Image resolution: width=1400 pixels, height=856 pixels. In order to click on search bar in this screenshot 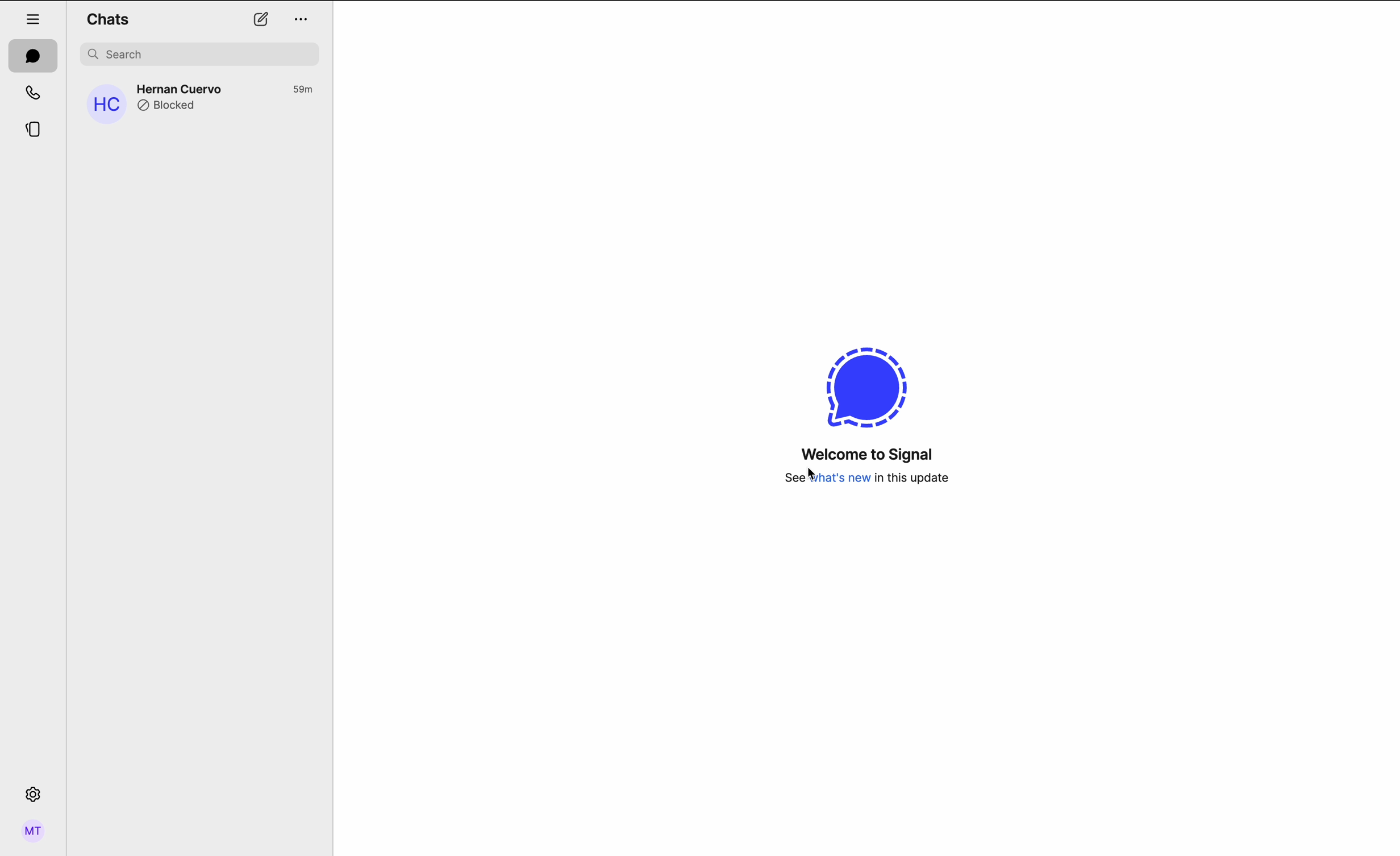, I will do `click(202, 54)`.